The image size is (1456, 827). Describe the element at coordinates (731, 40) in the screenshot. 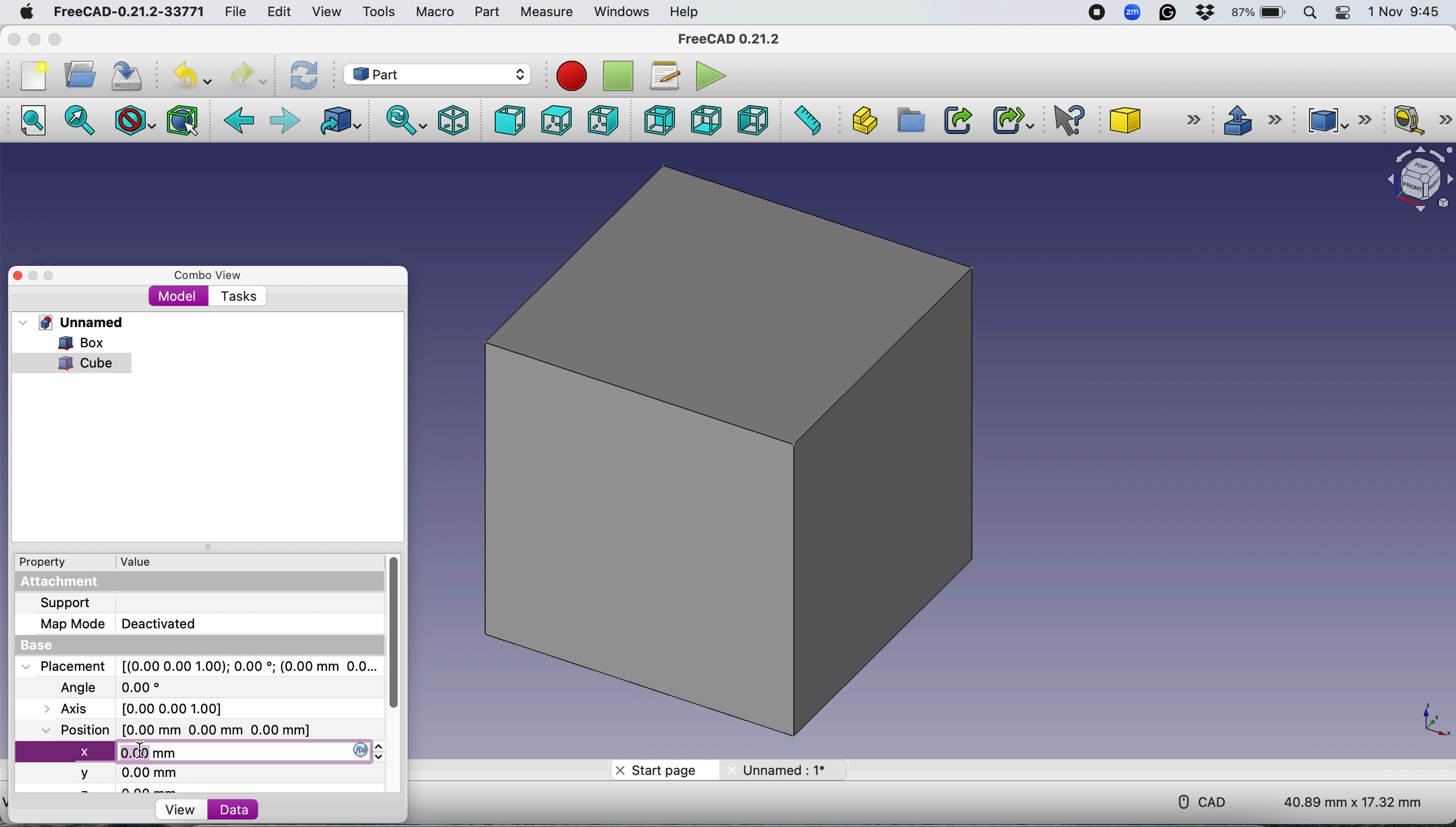

I see `FreeCAD 0.21.2` at that location.